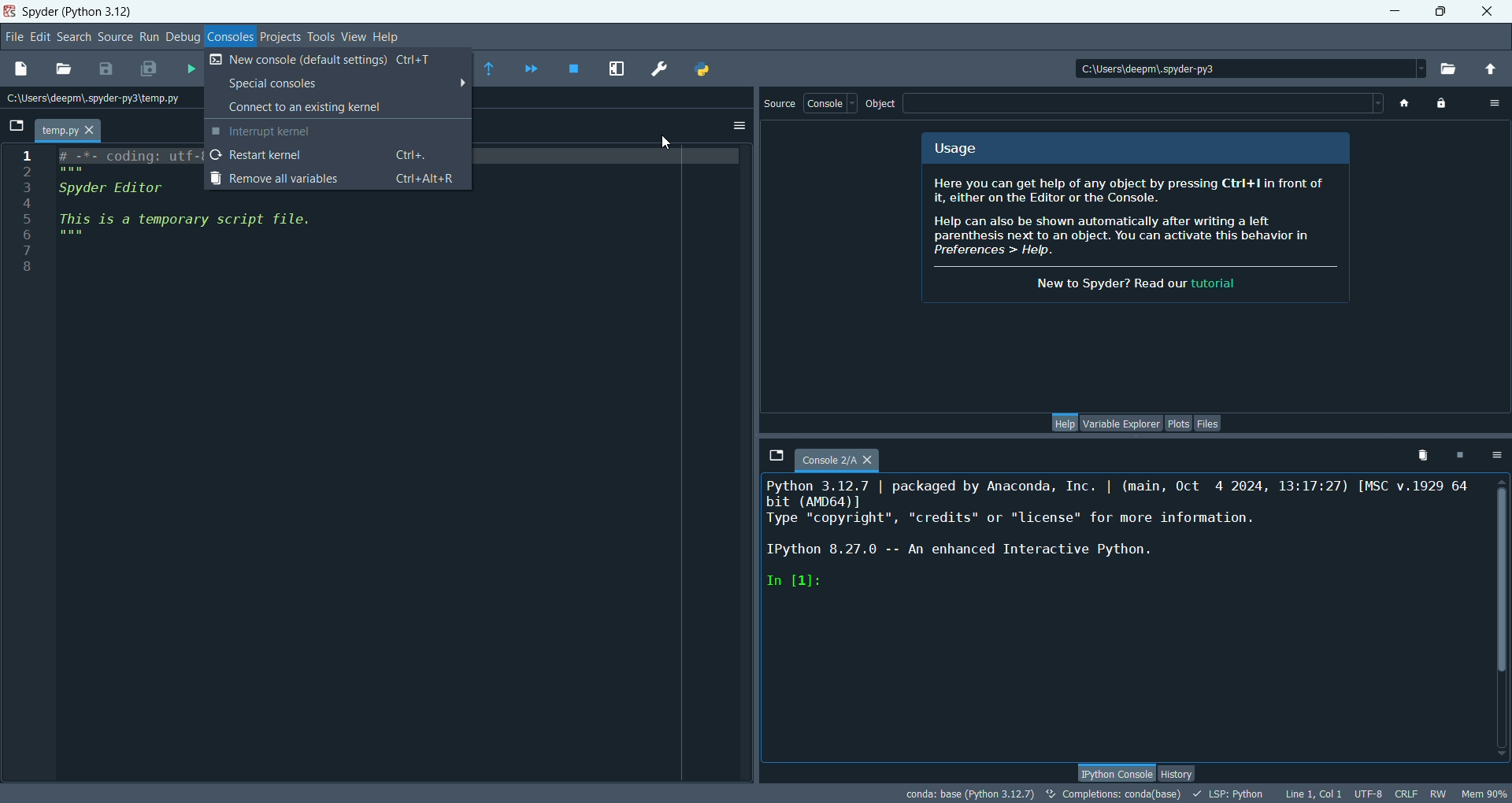  Describe the element at coordinates (106, 68) in the screenshot. I see `save ` at that location.